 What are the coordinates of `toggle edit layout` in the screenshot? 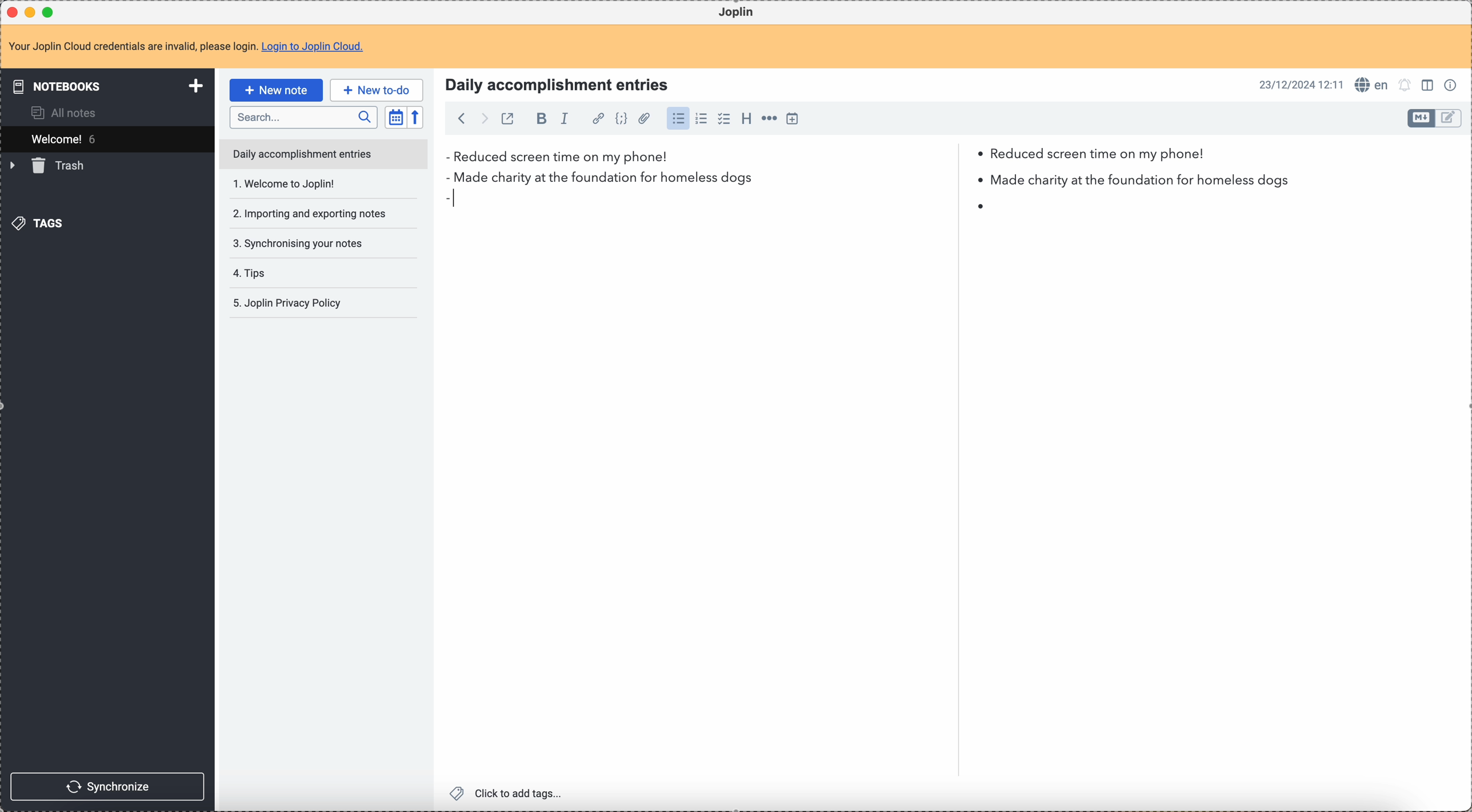 It's located at (1428, 84).